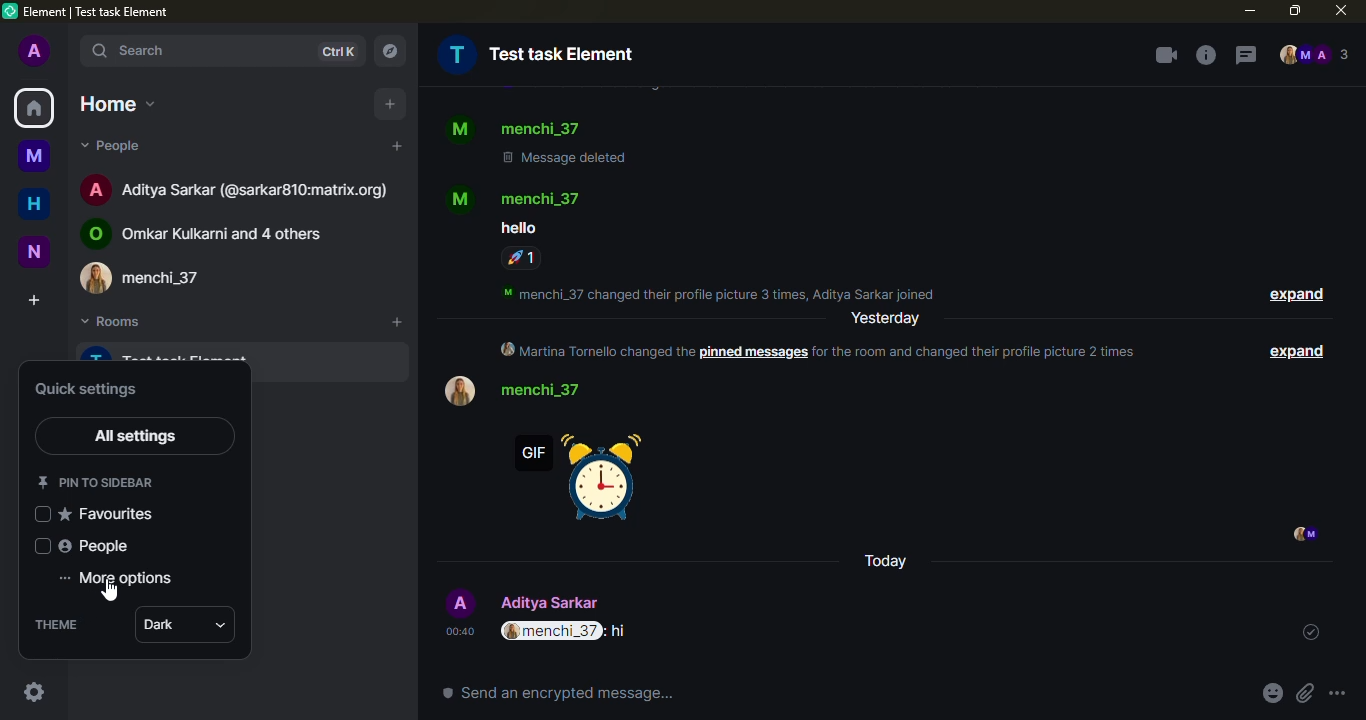 The image size is (1366, 720). I want to click on all settings, so click(141, 437).